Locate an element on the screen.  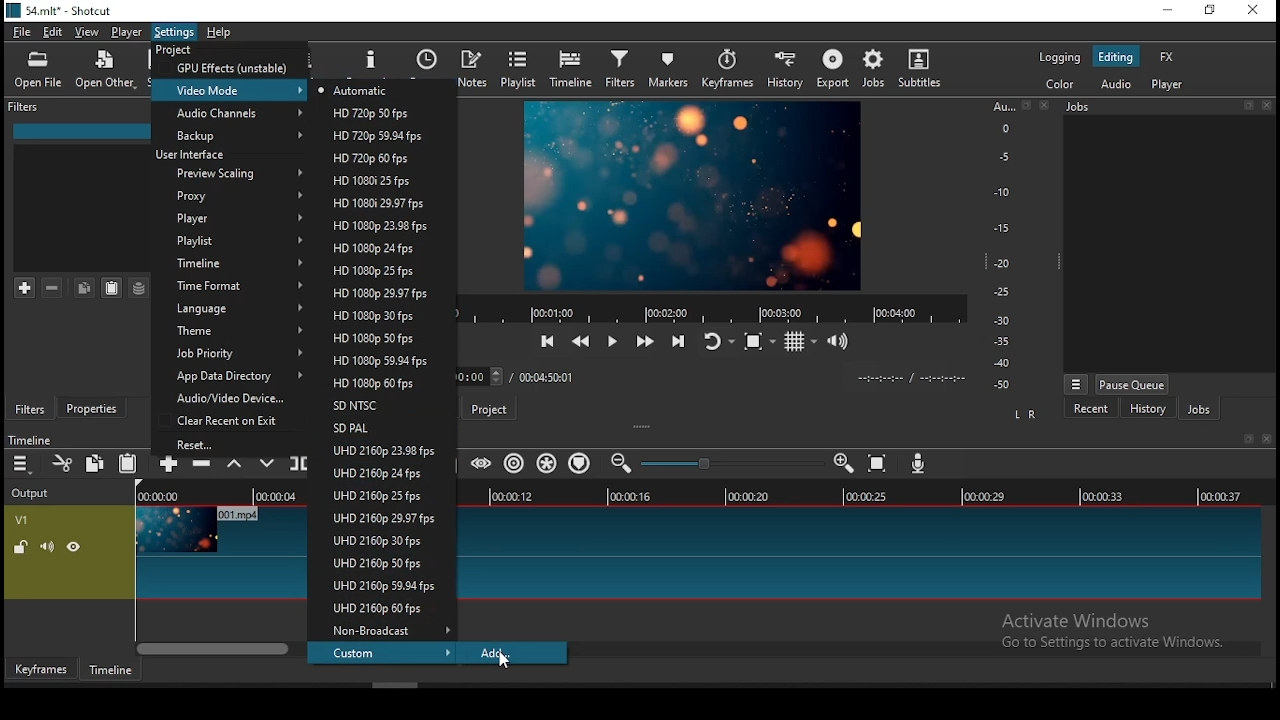
ripple markers is located at coordinates (578, 461).